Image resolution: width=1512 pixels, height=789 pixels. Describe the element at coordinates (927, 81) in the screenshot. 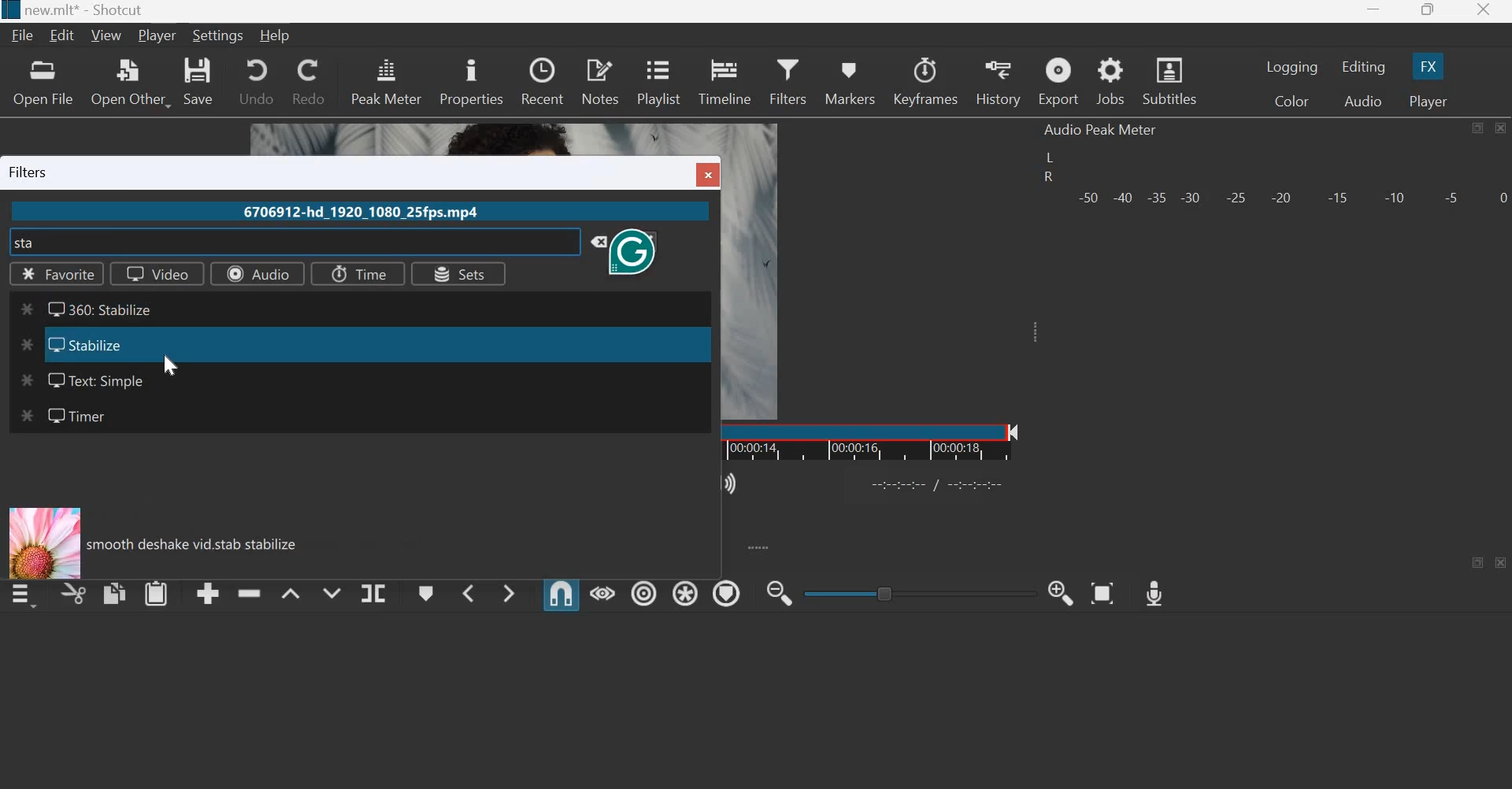

I see `Keyframes` at that location.